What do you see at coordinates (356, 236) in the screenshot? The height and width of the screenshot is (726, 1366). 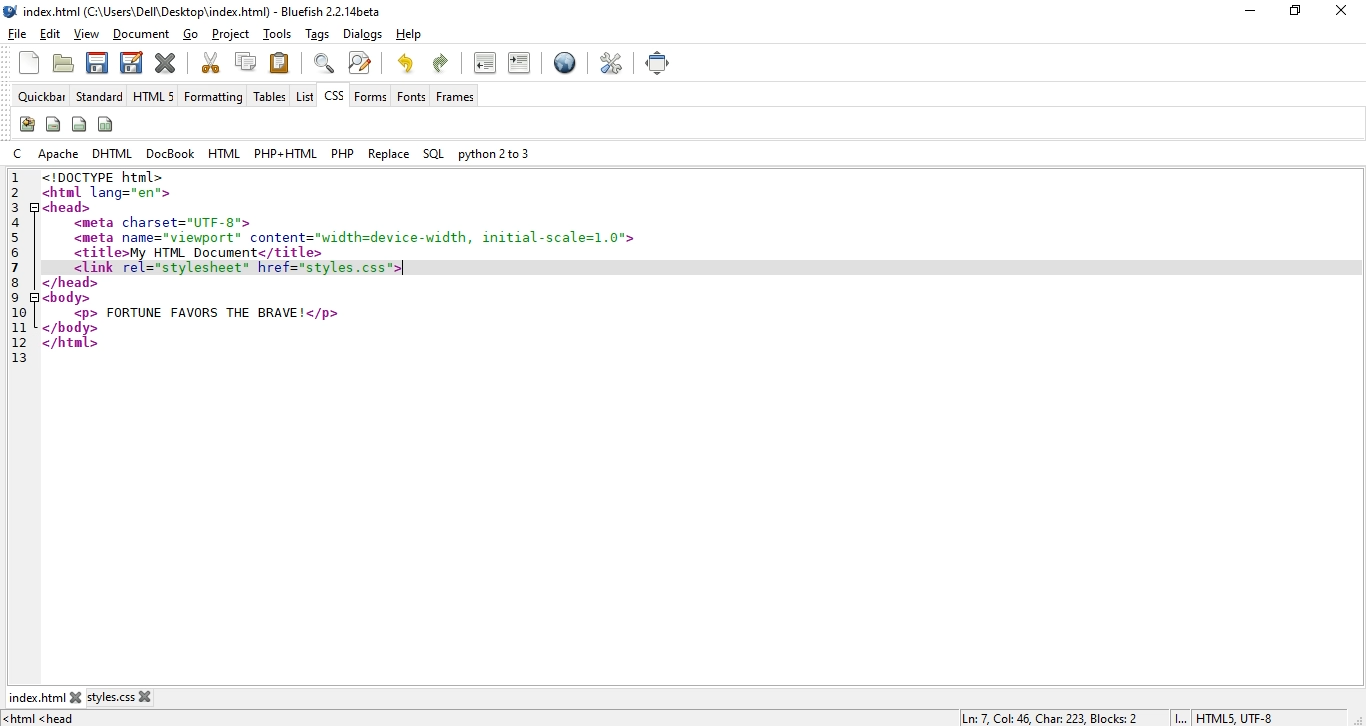 I see `<meta name="viewport" content="width=device-width. i1nitial-scale=1.0">` at bounding box center [356, 236].